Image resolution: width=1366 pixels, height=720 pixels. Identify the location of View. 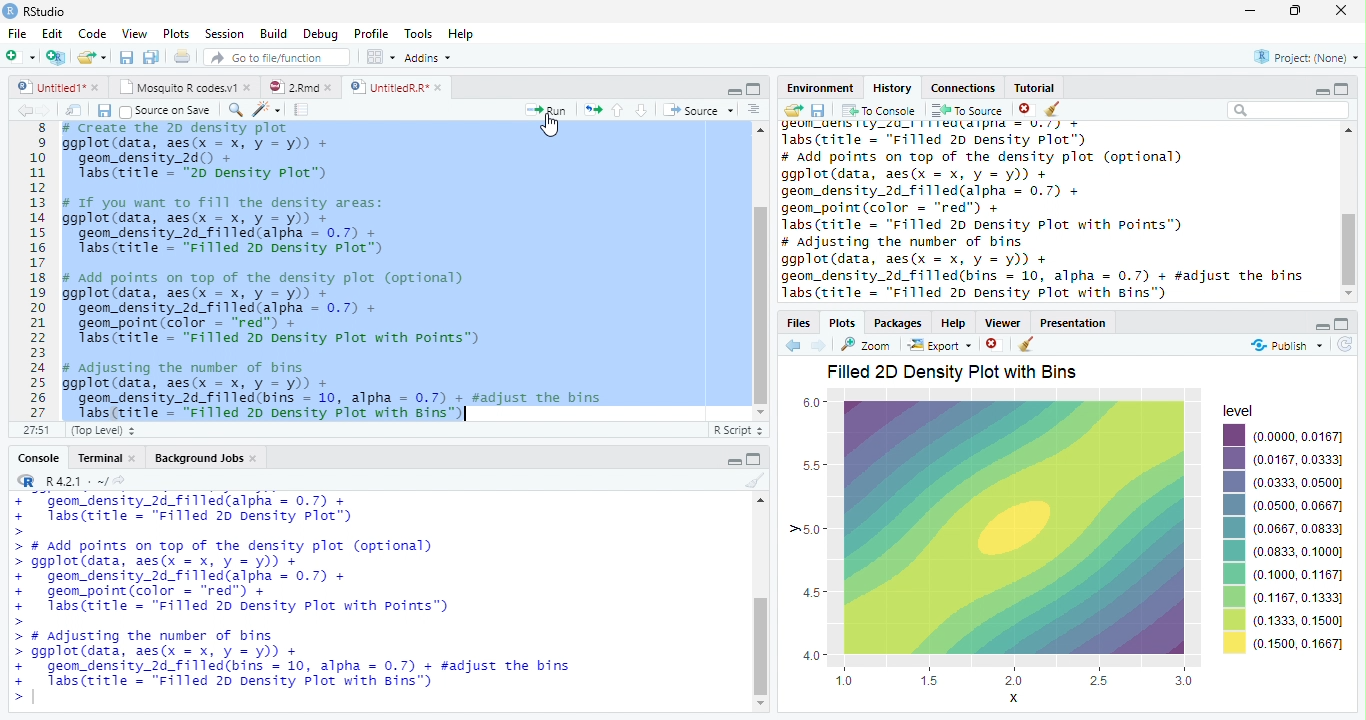
(134, 34).